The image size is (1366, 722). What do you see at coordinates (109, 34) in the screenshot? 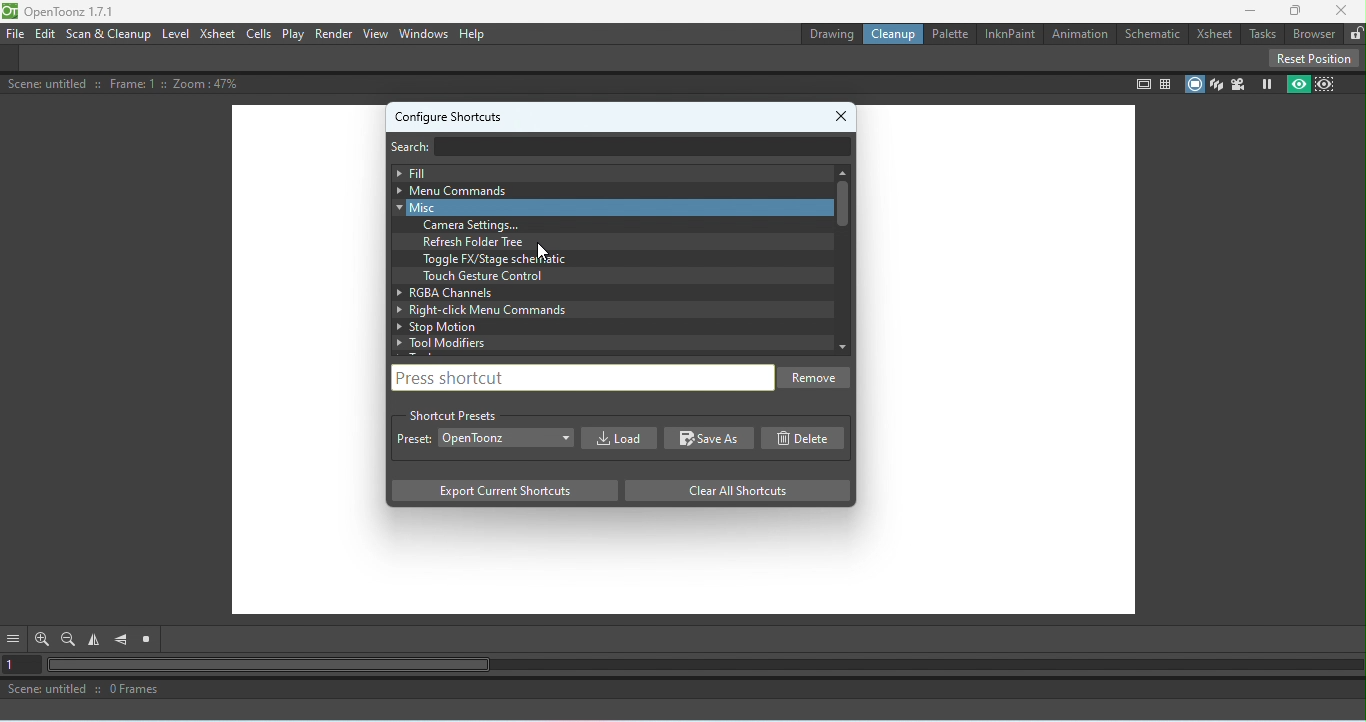
I see `Scan & Cleanup` at bounding box center [109, 34].